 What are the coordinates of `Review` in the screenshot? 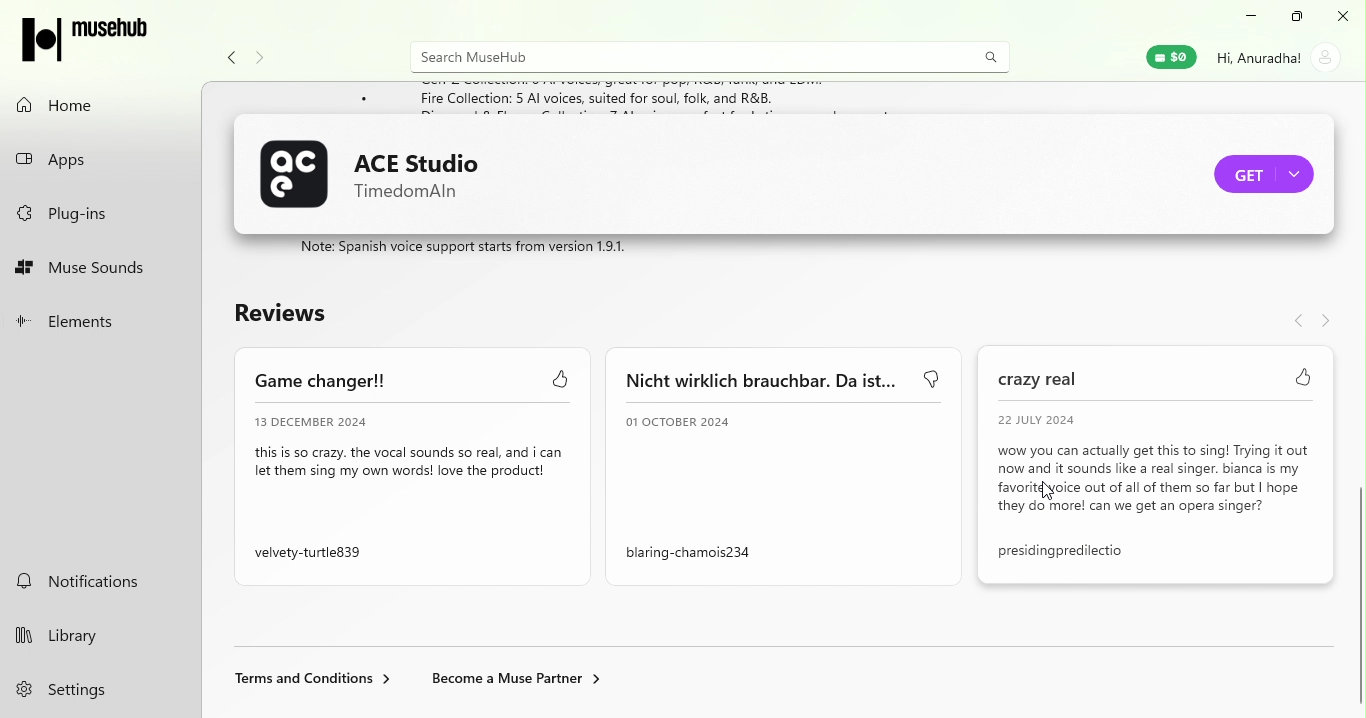 It's located at (792, 467).